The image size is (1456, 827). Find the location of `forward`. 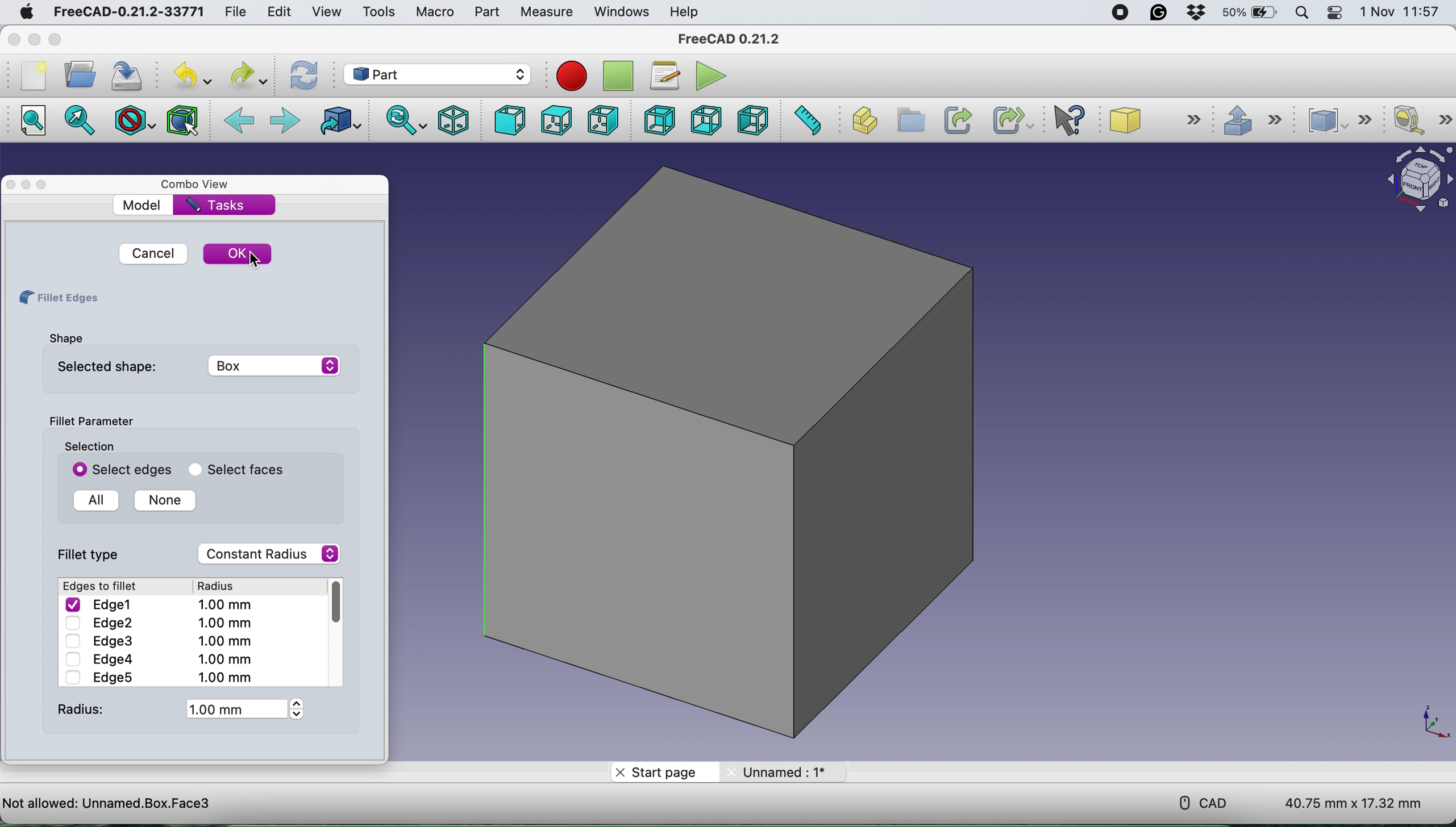

forward is located at coordinates (284, 122).